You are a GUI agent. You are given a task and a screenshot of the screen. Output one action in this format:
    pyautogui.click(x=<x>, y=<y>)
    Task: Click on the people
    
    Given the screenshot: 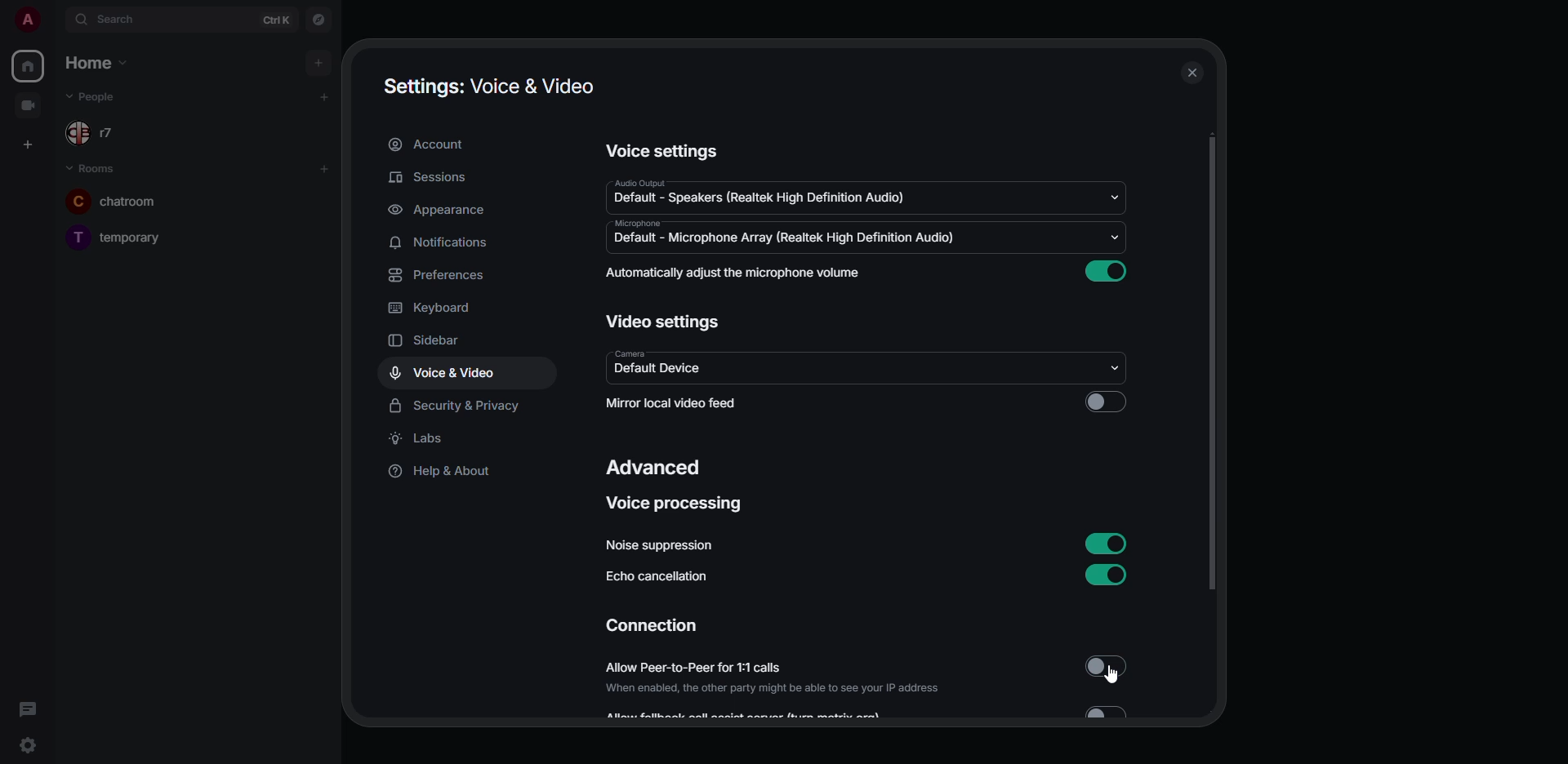 What is the action you would take?
    pyautogui.click(x=105, y=133)
    